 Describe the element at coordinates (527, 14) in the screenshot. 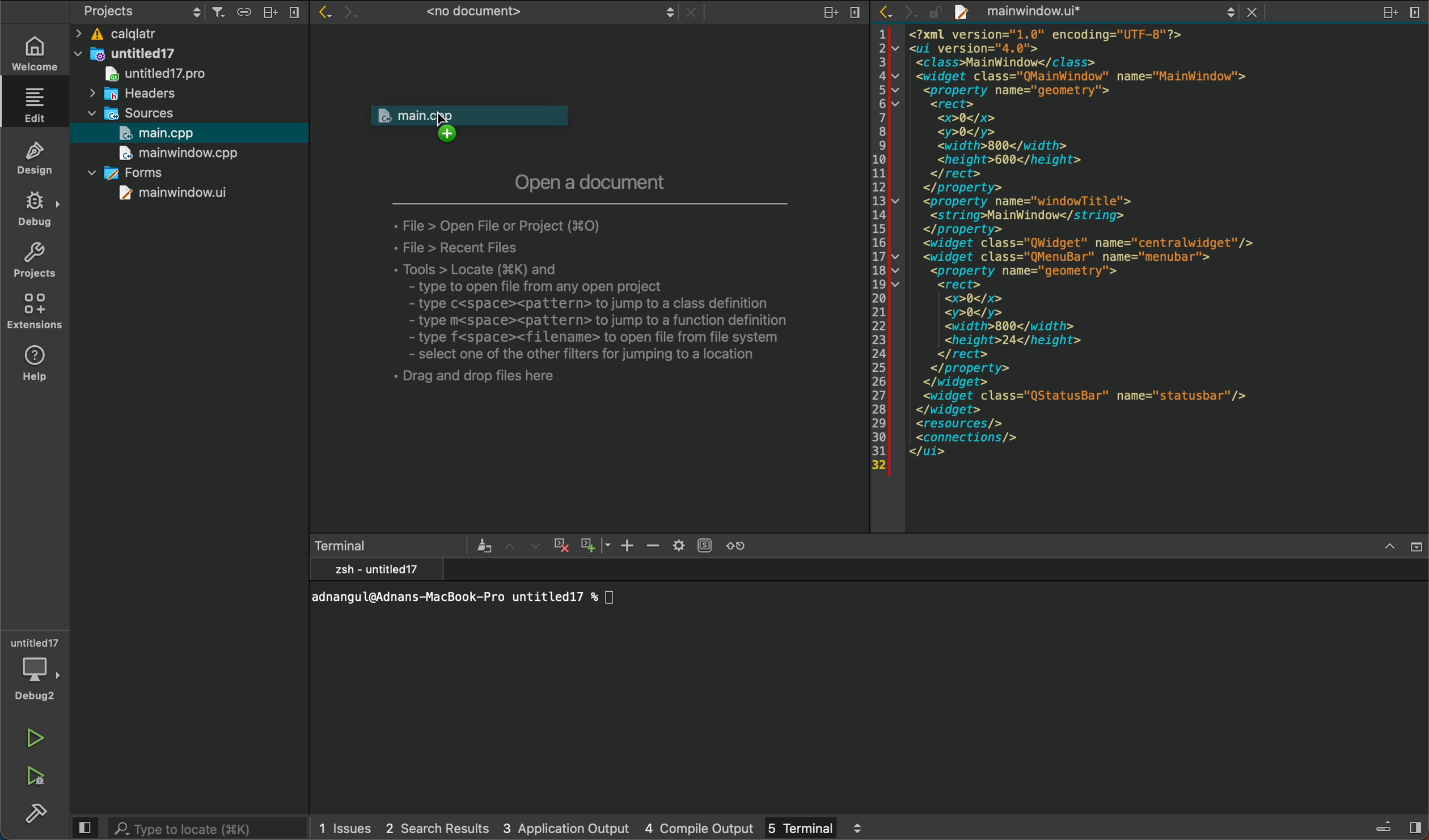

I see `no document` at that location.